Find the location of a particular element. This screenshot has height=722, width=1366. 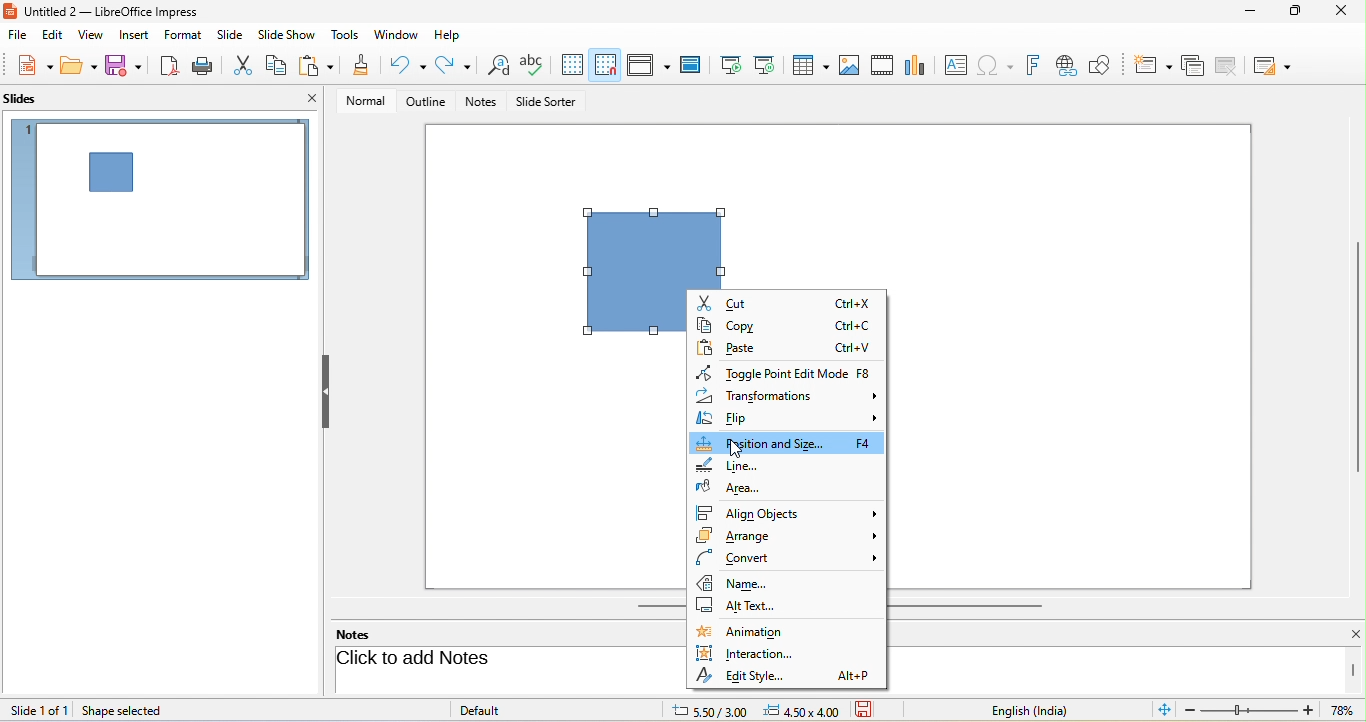

text language is located at coordinates (1045, 710).